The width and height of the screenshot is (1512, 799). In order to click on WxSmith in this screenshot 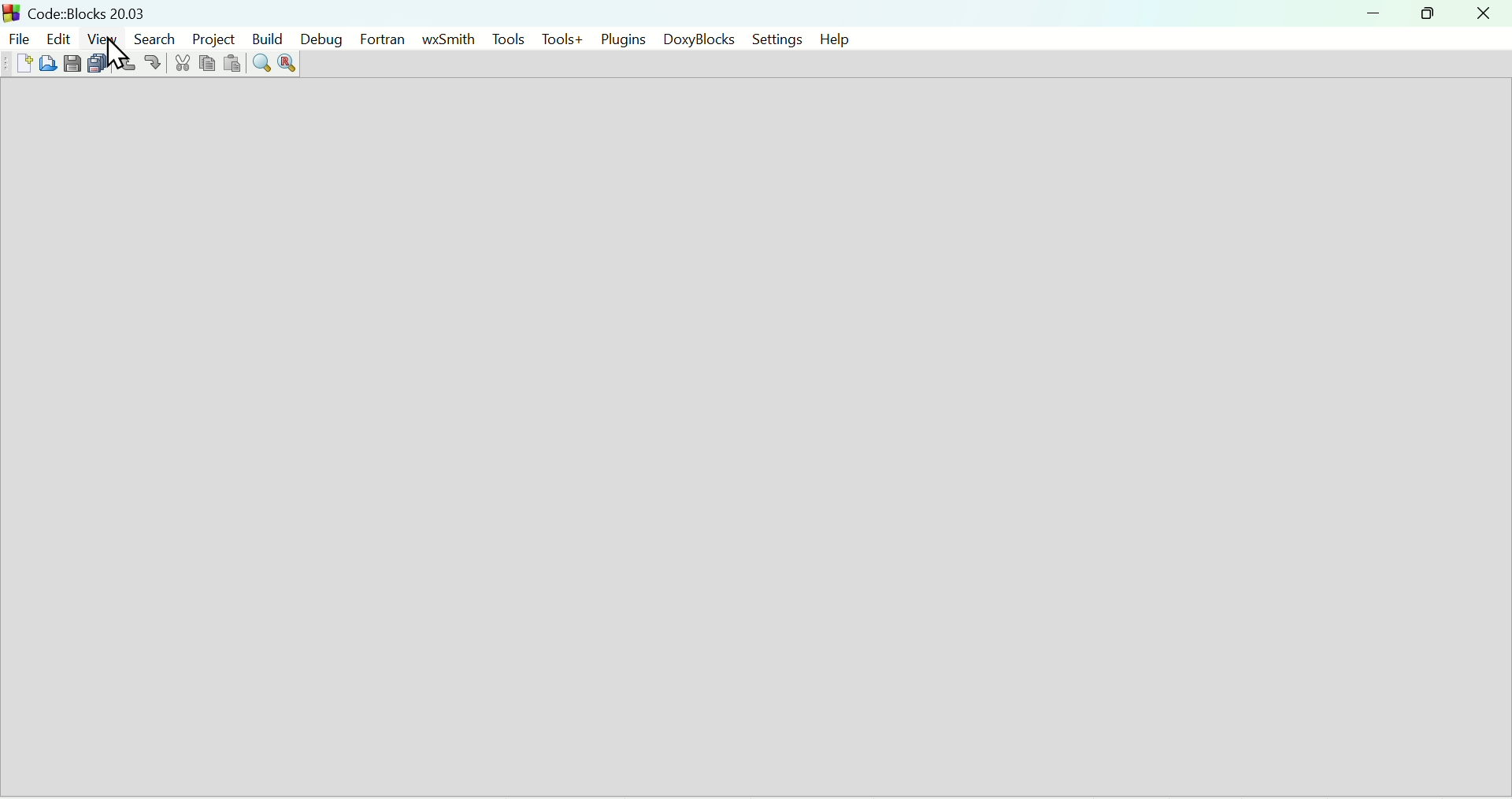, I will do `click(447, 39)`.